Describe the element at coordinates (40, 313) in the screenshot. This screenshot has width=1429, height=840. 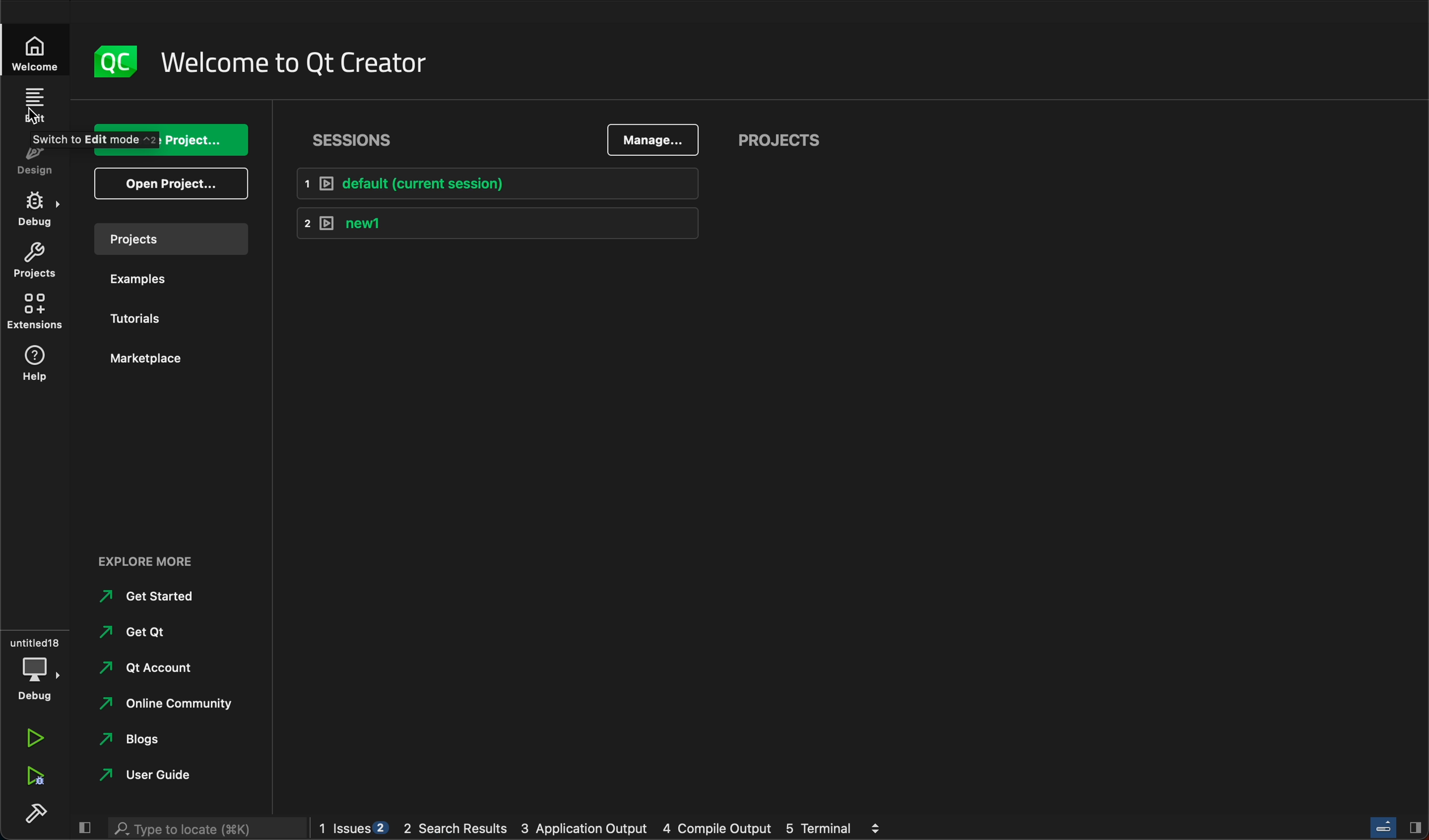
I see `extensions` at that location.